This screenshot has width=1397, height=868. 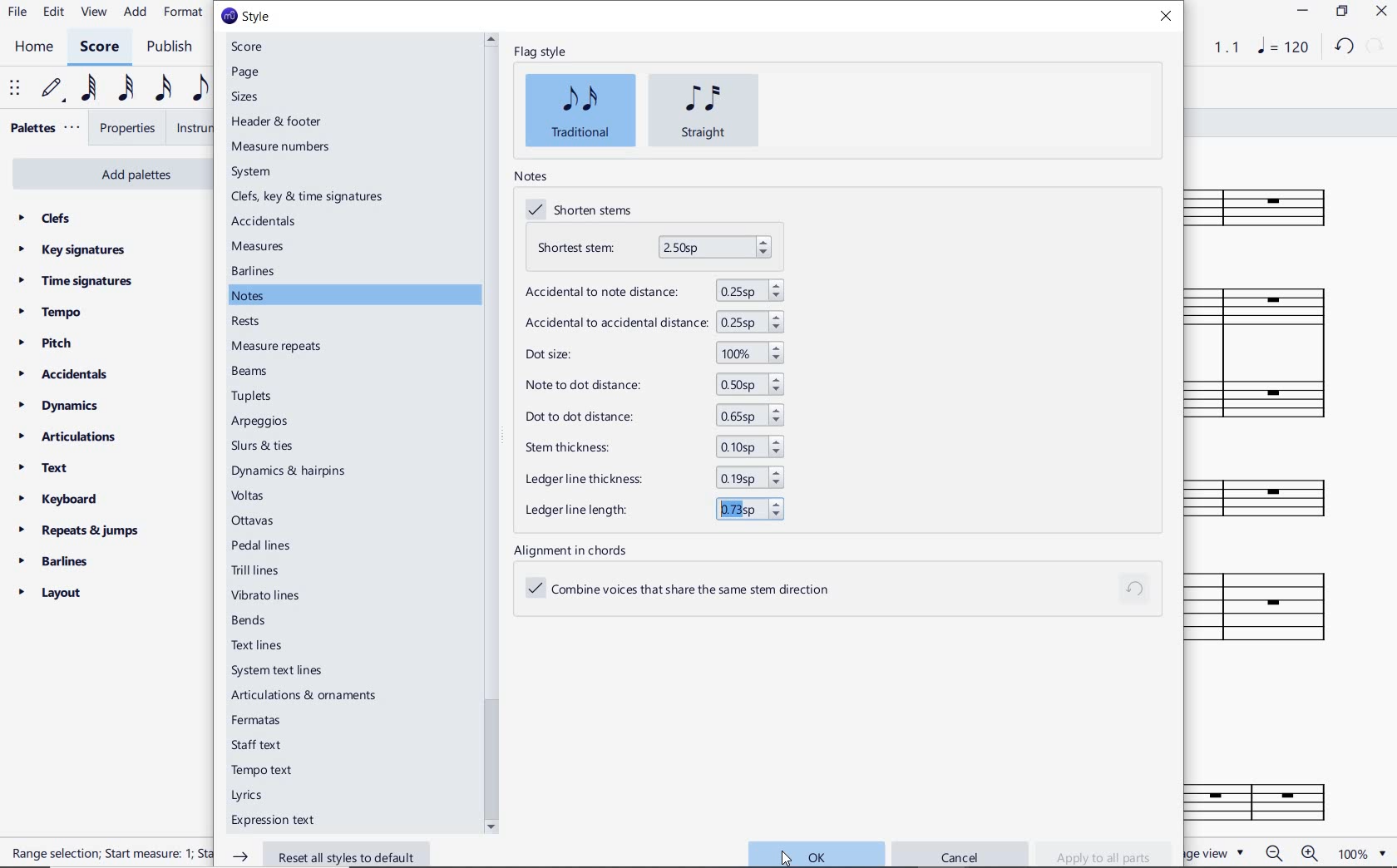 What do you see at coordinates (259, 246) in the screenshot?
I see `measures` at bounding box center [259, 246].